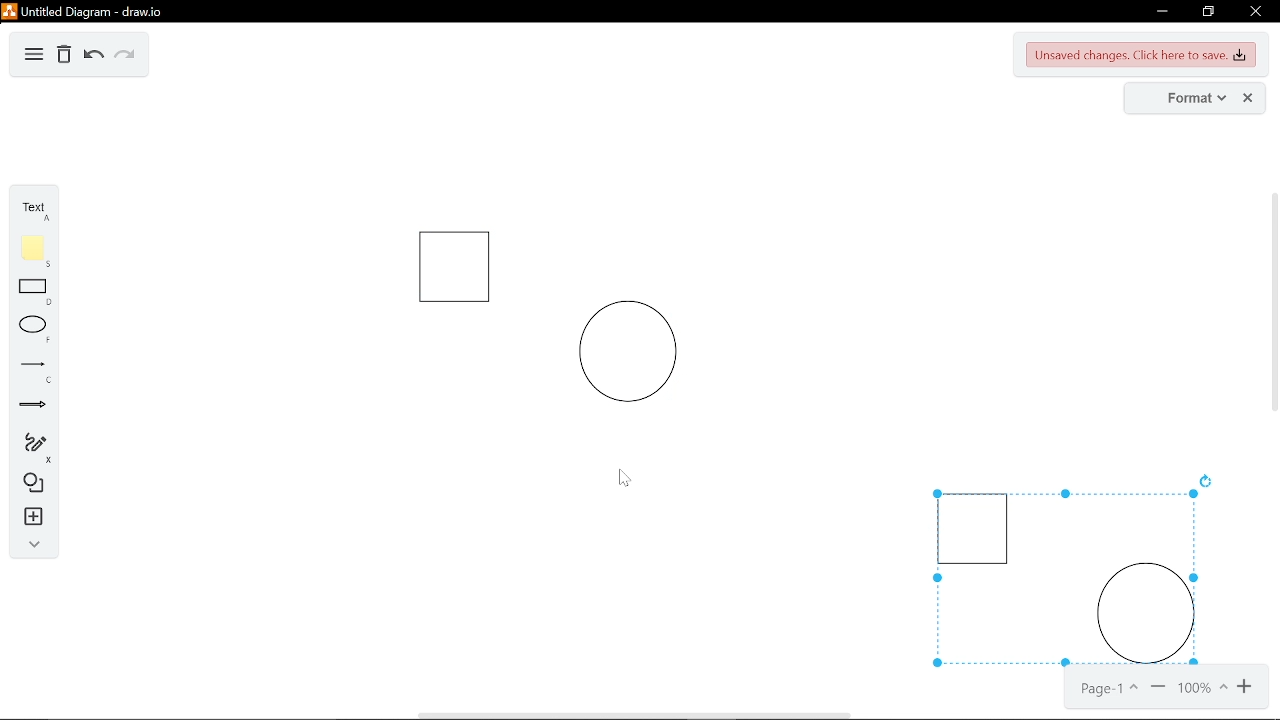 The height and width of the screenshot is (720, 1280). I want to click on shapes, so click(30, 484).